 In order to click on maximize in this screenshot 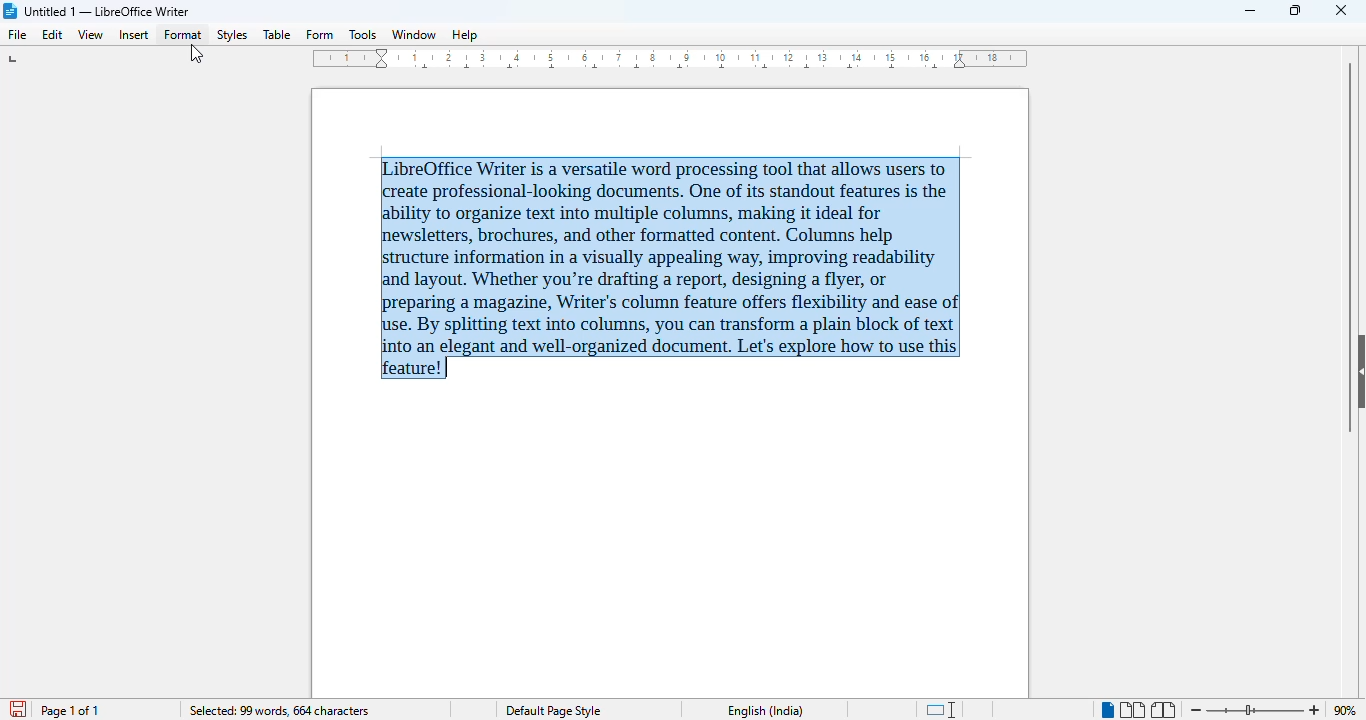, I will do `click(1297, 10)`.